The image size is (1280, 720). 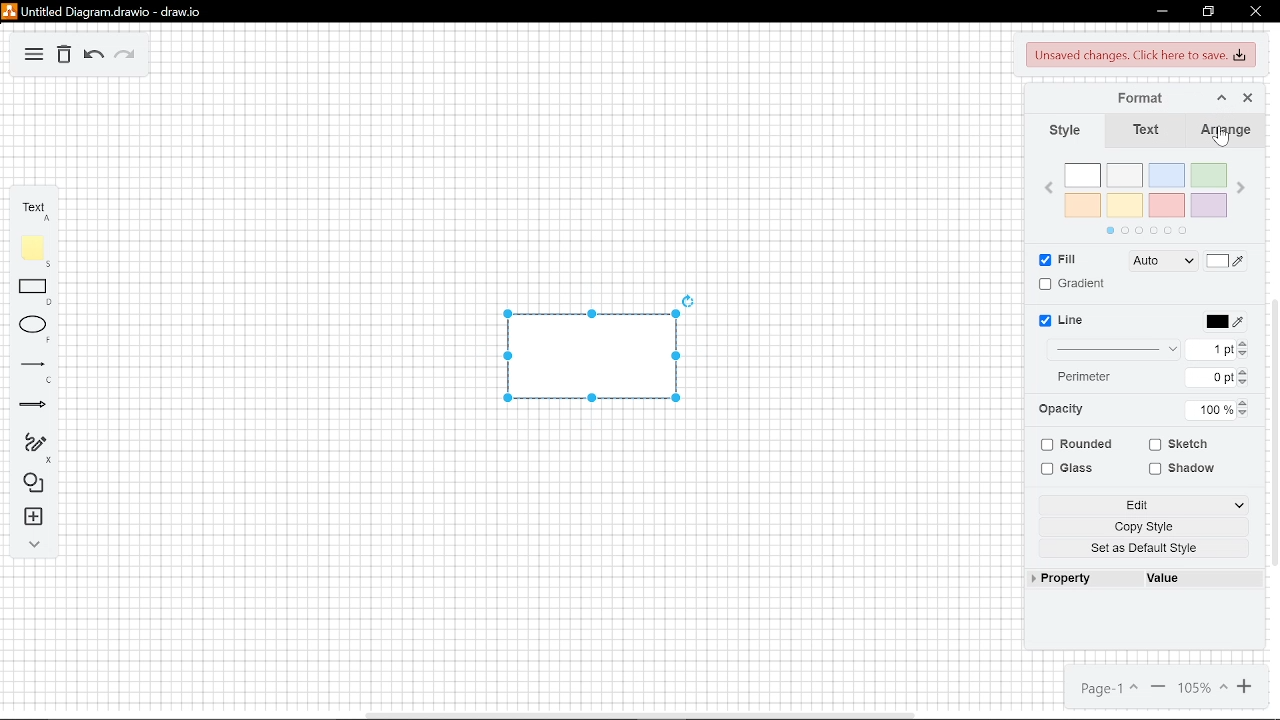 I want to click on text, so click(x=38, y=213).